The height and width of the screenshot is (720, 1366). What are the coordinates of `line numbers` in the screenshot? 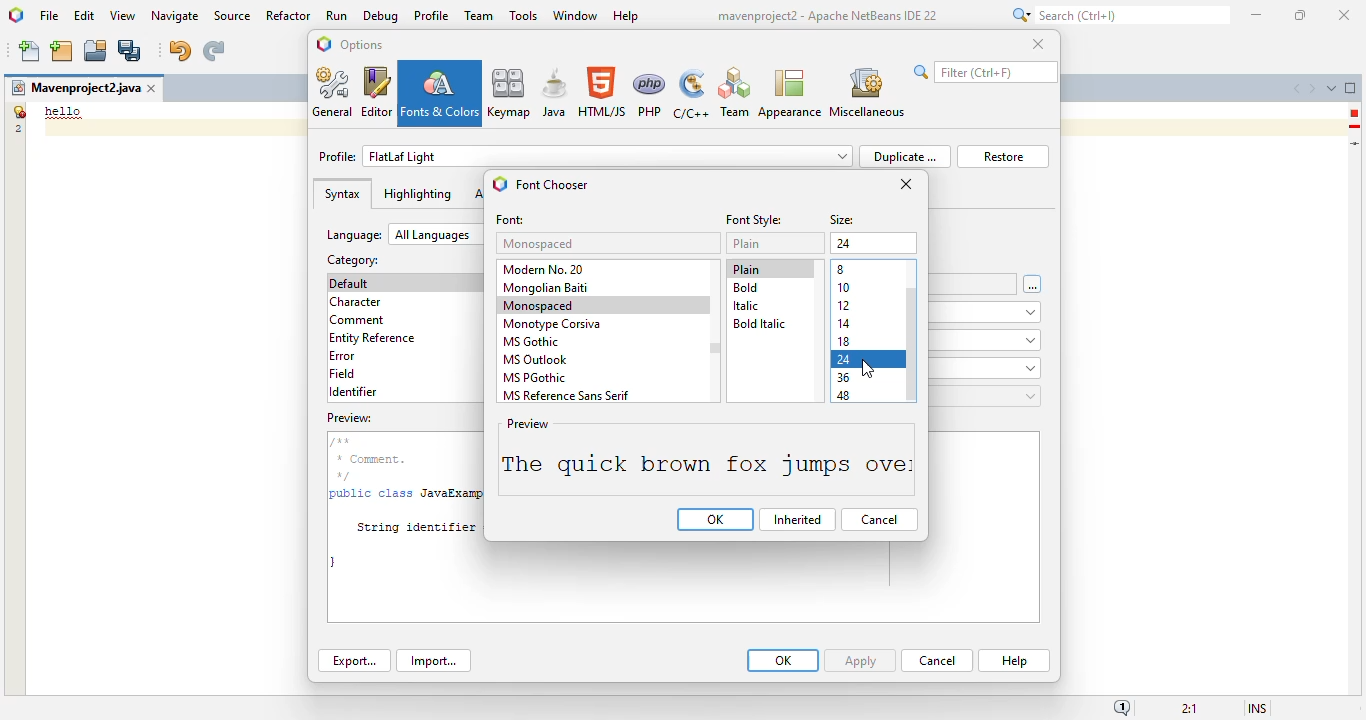 It's located at (17, 119).